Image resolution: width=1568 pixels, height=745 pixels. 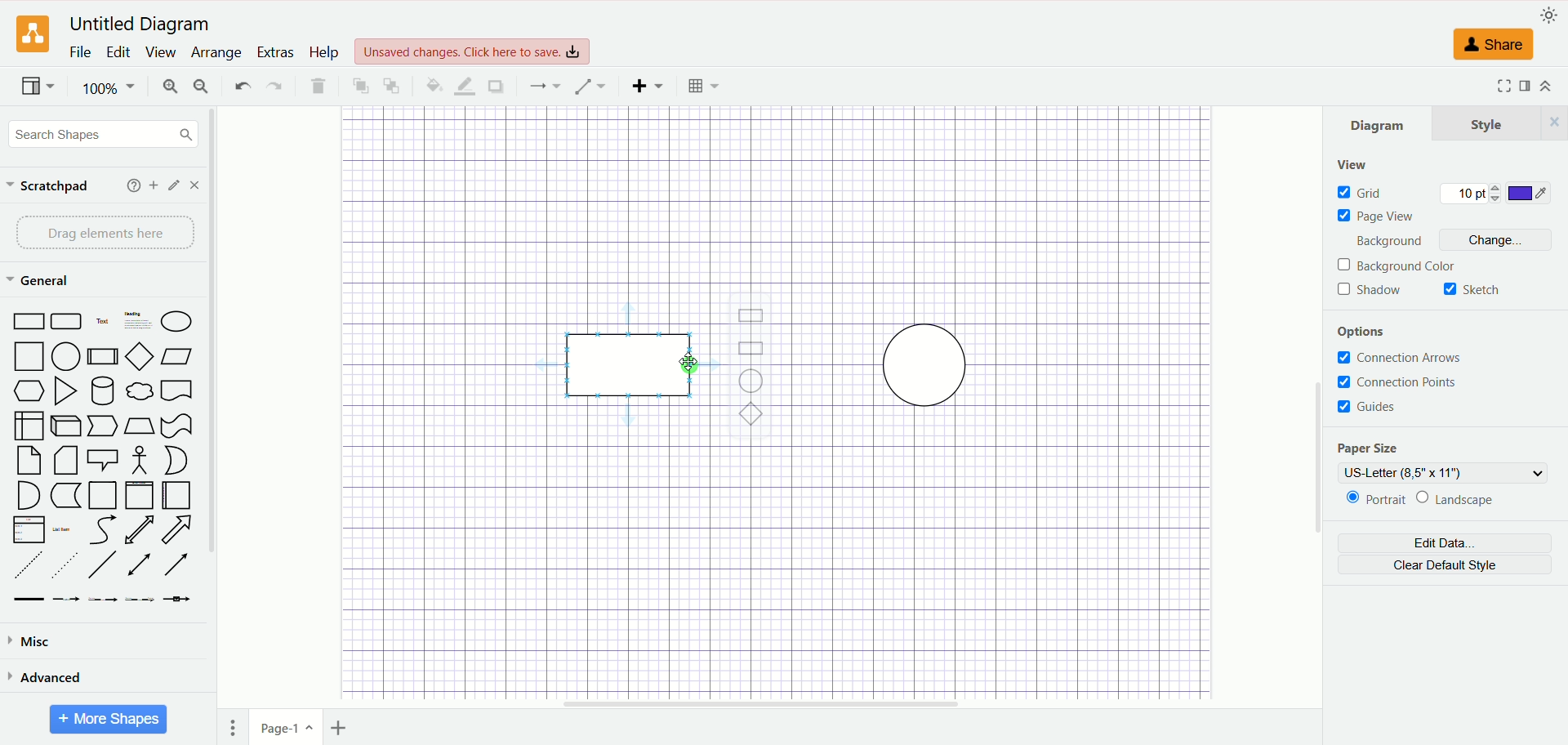 What do you see at coordinates (109, 719) in the screenshot?
I see `More Shapes` at bounding box center [109, 719].